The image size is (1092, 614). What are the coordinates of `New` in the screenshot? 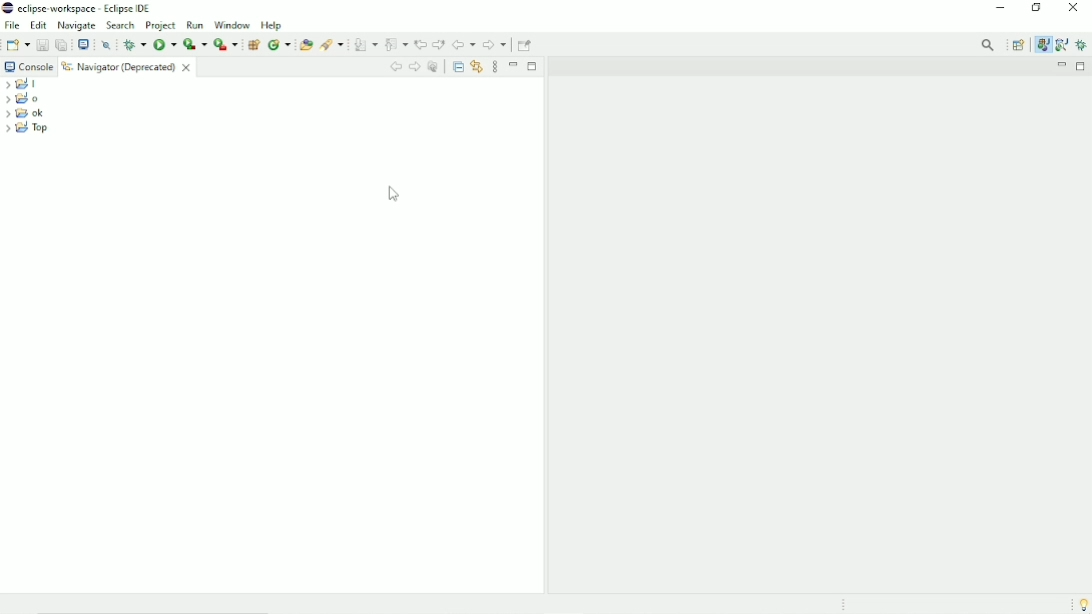 It's located at (18, 44).